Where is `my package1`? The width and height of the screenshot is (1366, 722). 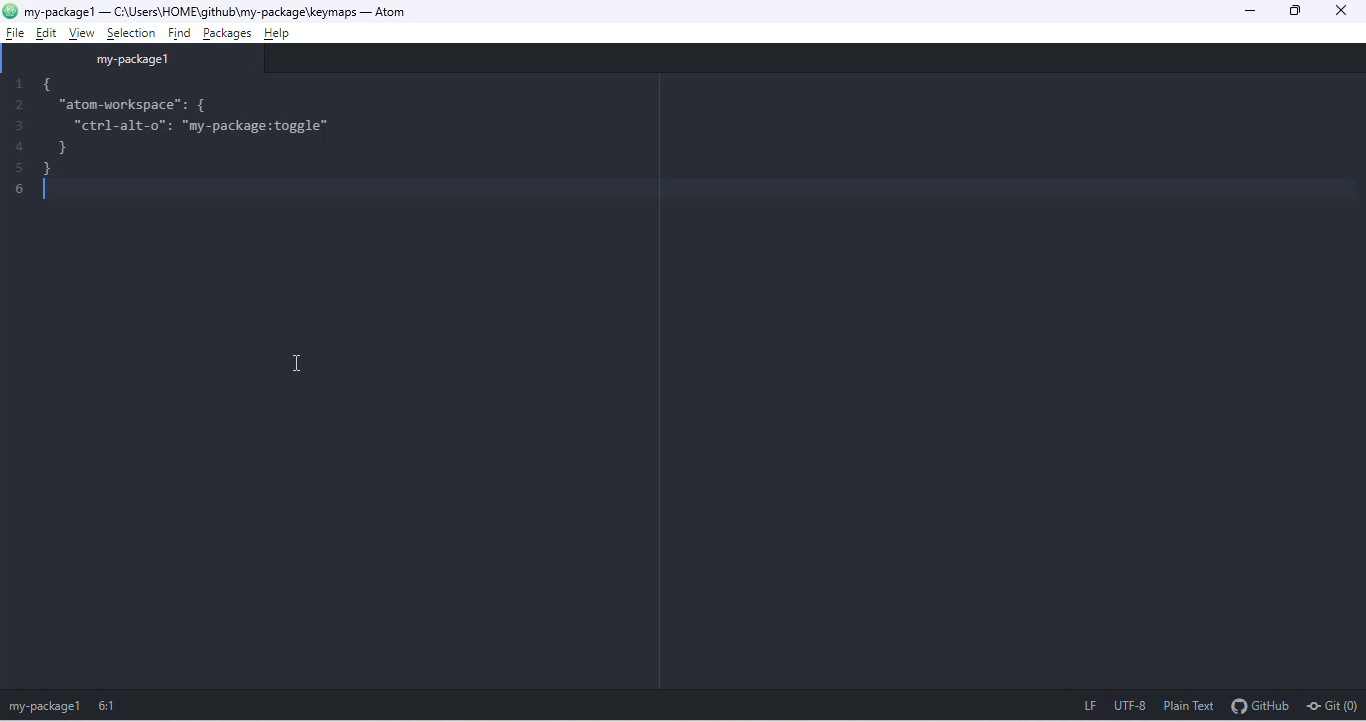
my package1 is located at coordinates (44, 707).